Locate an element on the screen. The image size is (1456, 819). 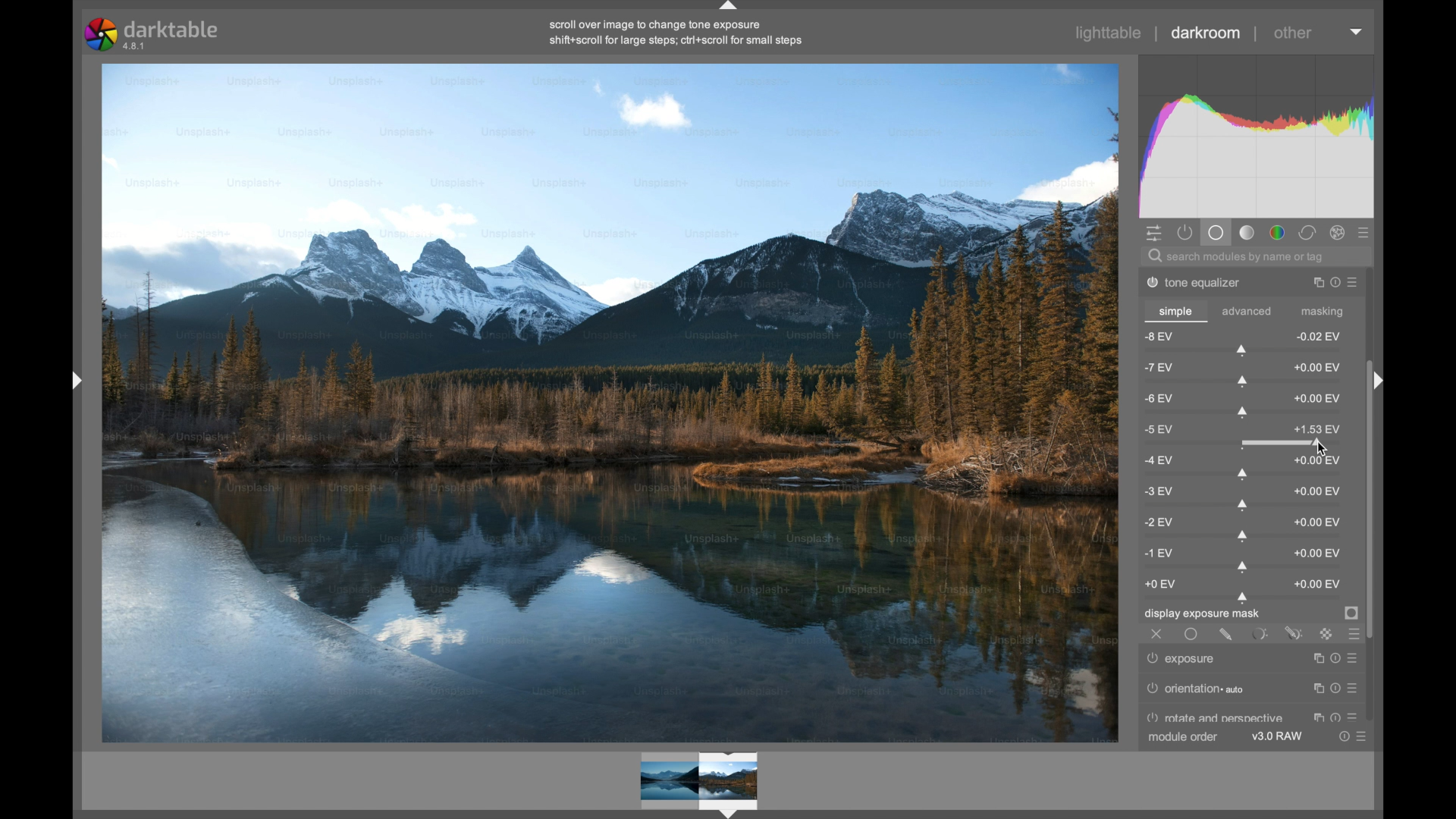
Preset is located at coordinates (1356, 674).